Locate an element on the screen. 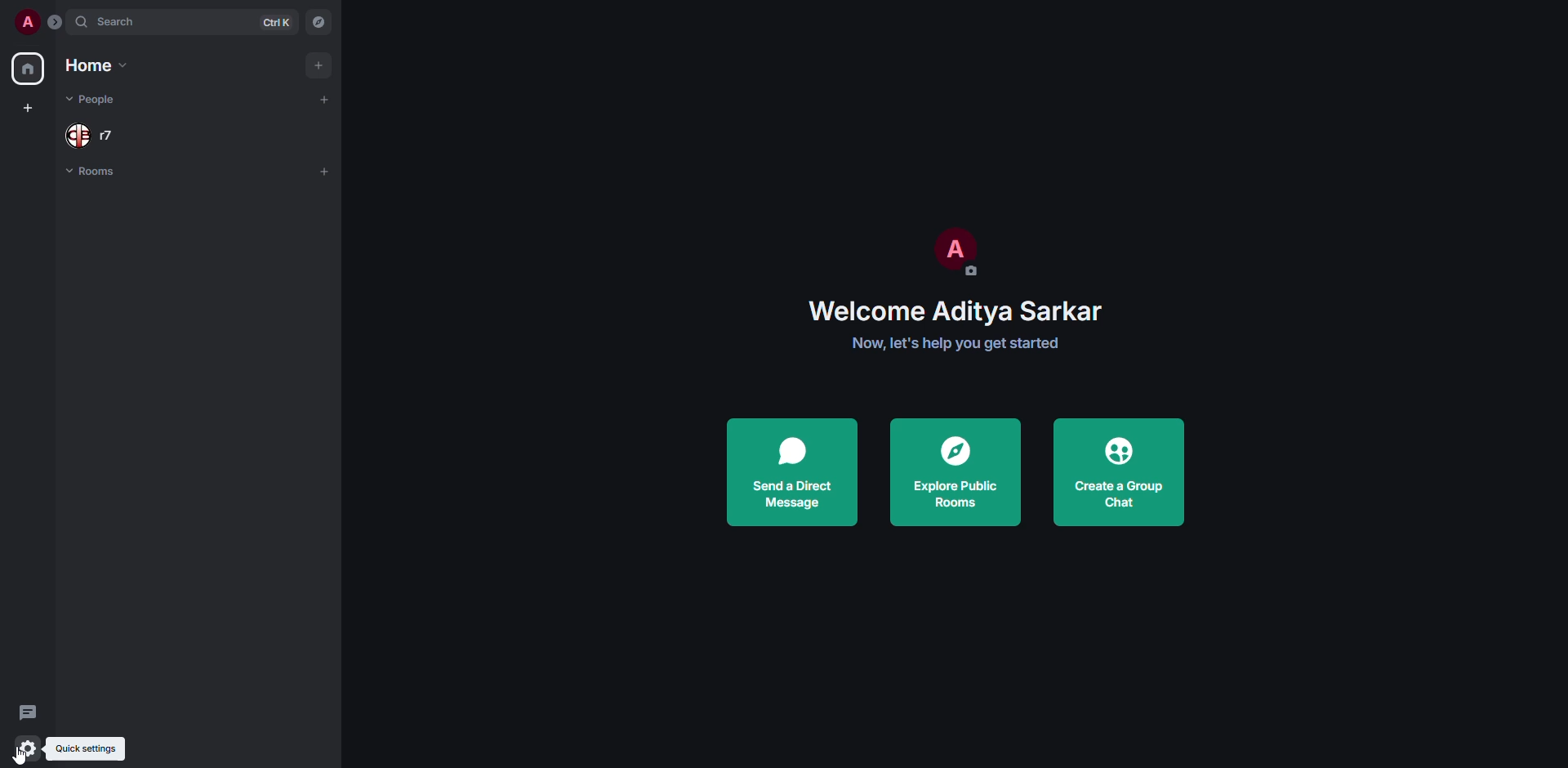 The width and height of the screenshot is (1568, 768). Now, let's help you get started is located at coordinates (959, 344).